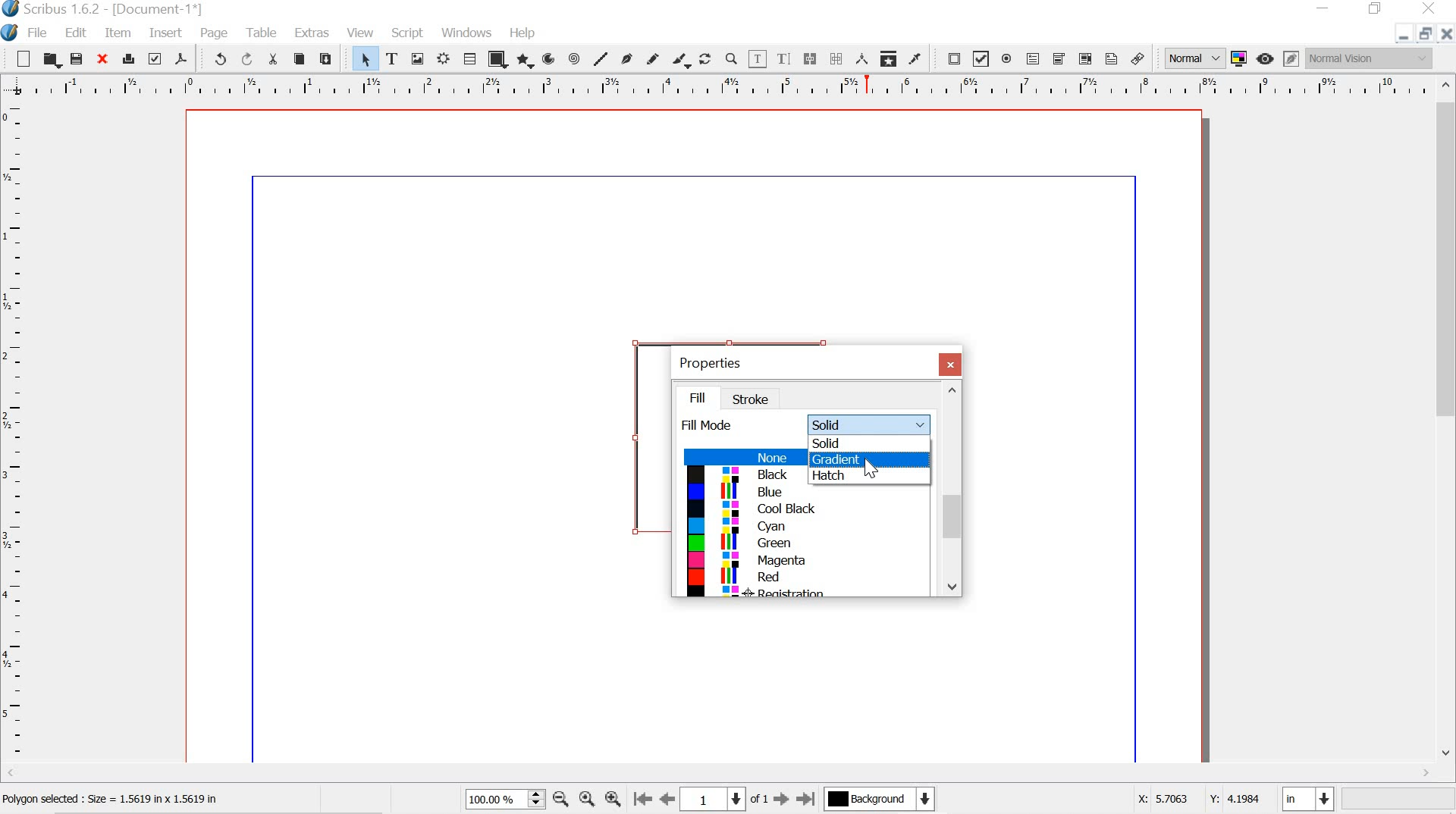 The image size is (1456, 814). I want to click on save as pdf, so click(183, 60).